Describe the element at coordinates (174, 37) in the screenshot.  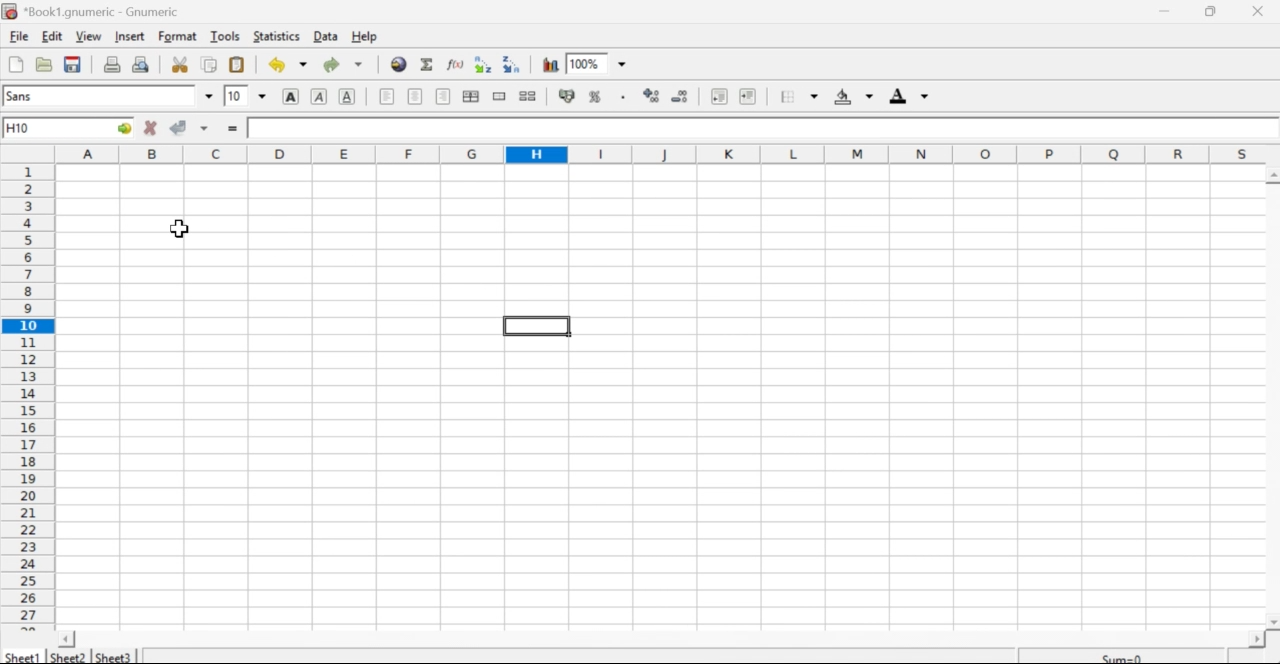
I see `Format` at that location.